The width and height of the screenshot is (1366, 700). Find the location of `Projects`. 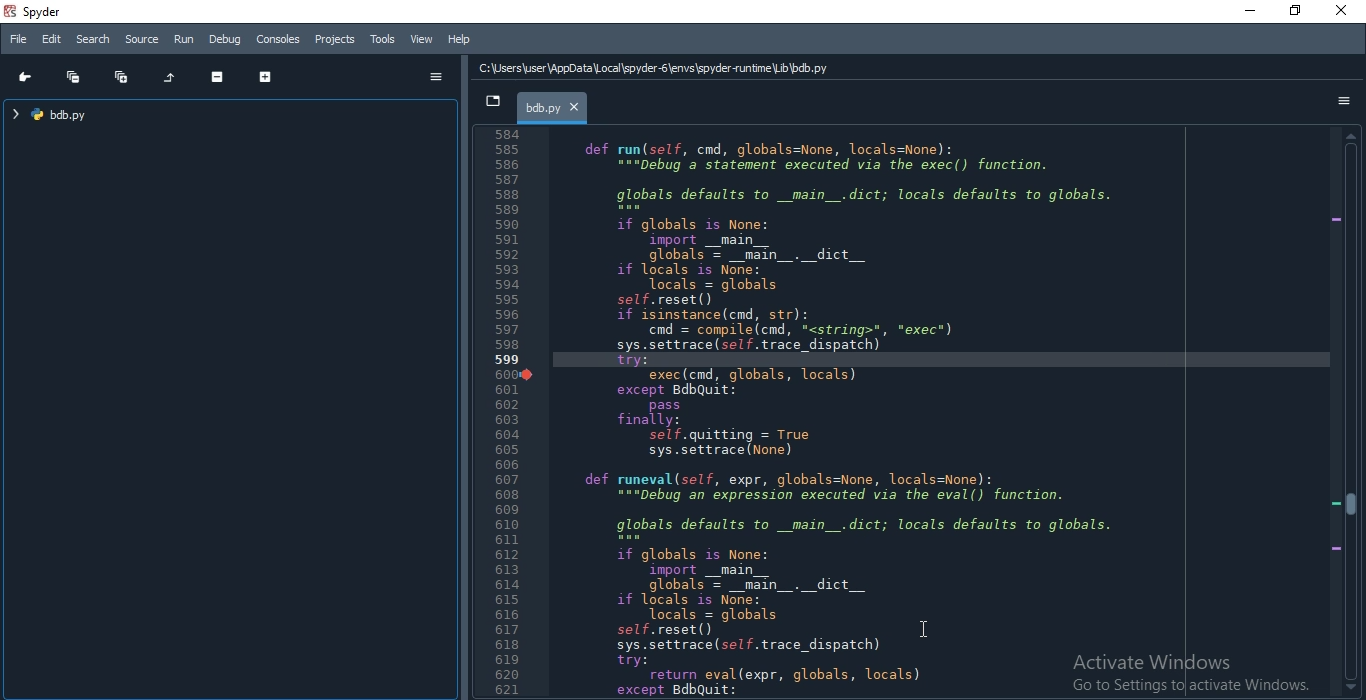

Projects is located at coordinates (335, 38).